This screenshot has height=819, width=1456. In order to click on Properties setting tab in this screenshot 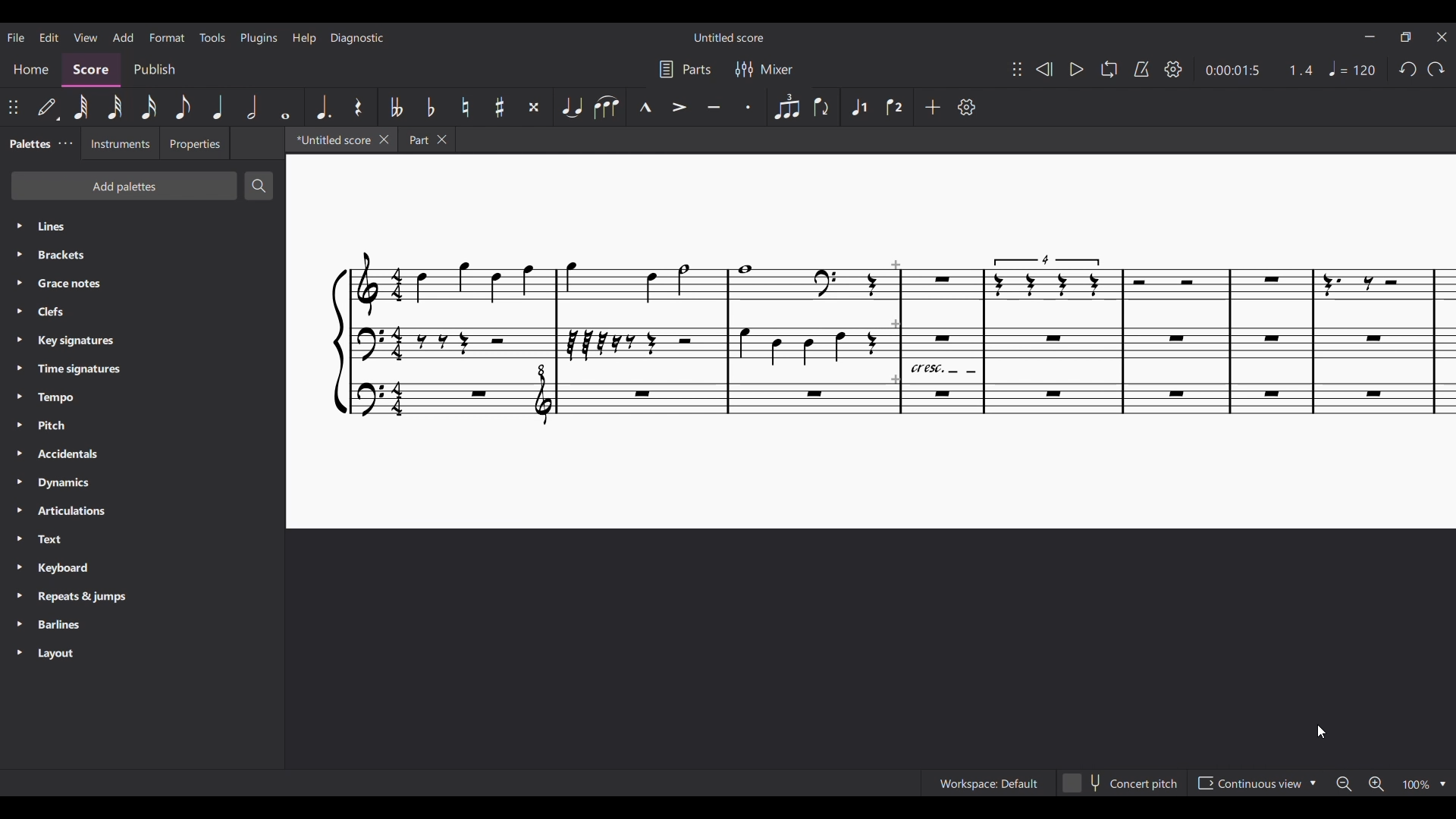, I will do `click(194, 143)`.